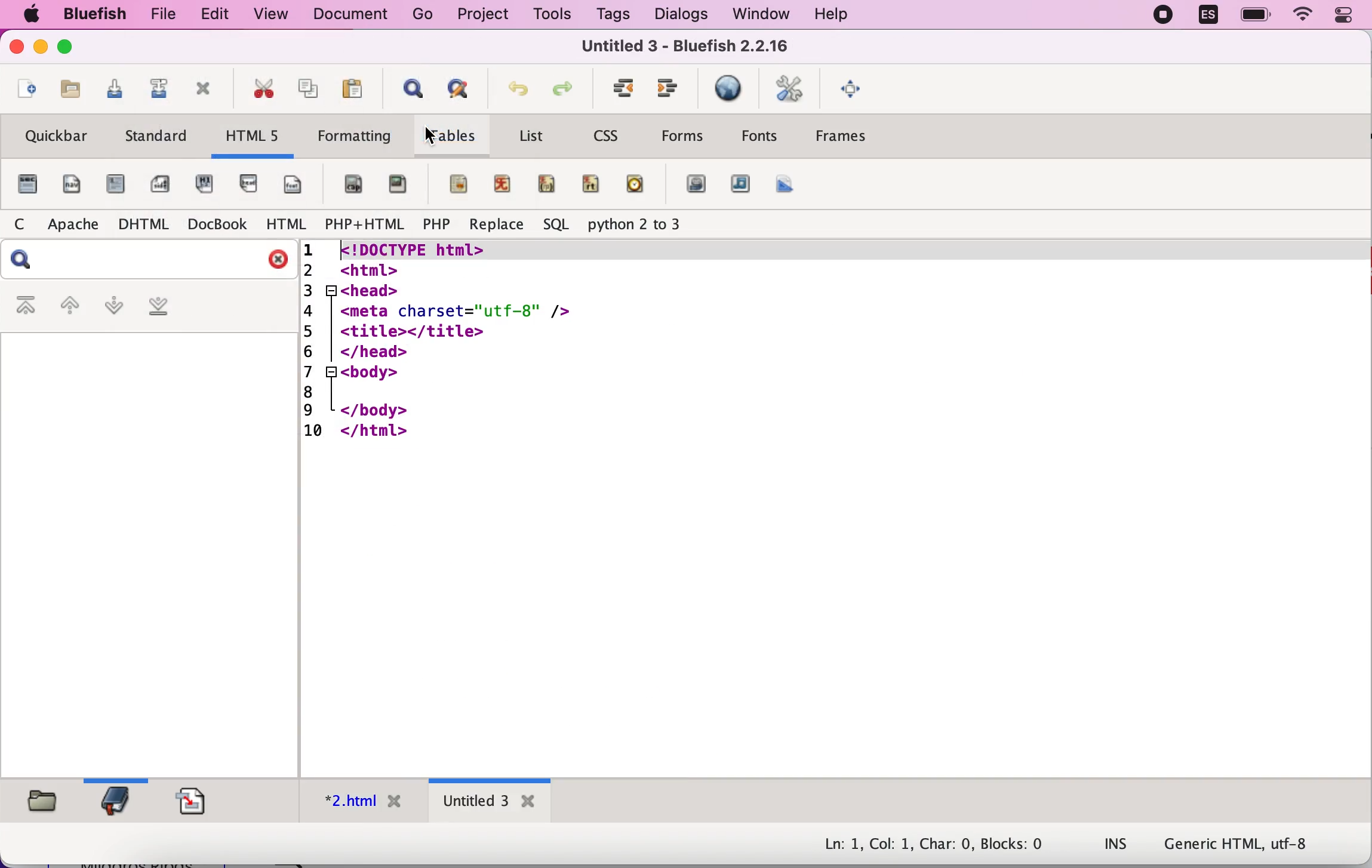 The image size is (1372, 868). What do you see at coordinates (250, 137) in the screenshot?
I see `html5` at bounding box center [250, 137].